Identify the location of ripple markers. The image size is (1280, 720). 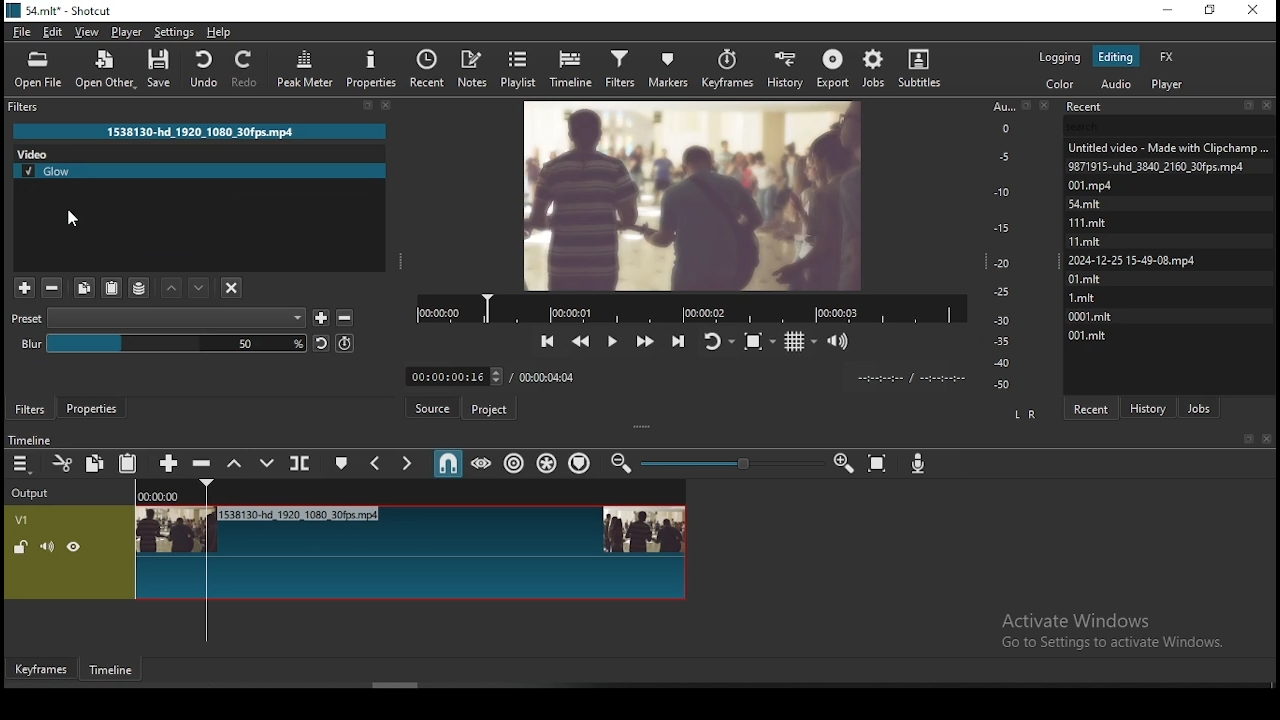
(581, 462).